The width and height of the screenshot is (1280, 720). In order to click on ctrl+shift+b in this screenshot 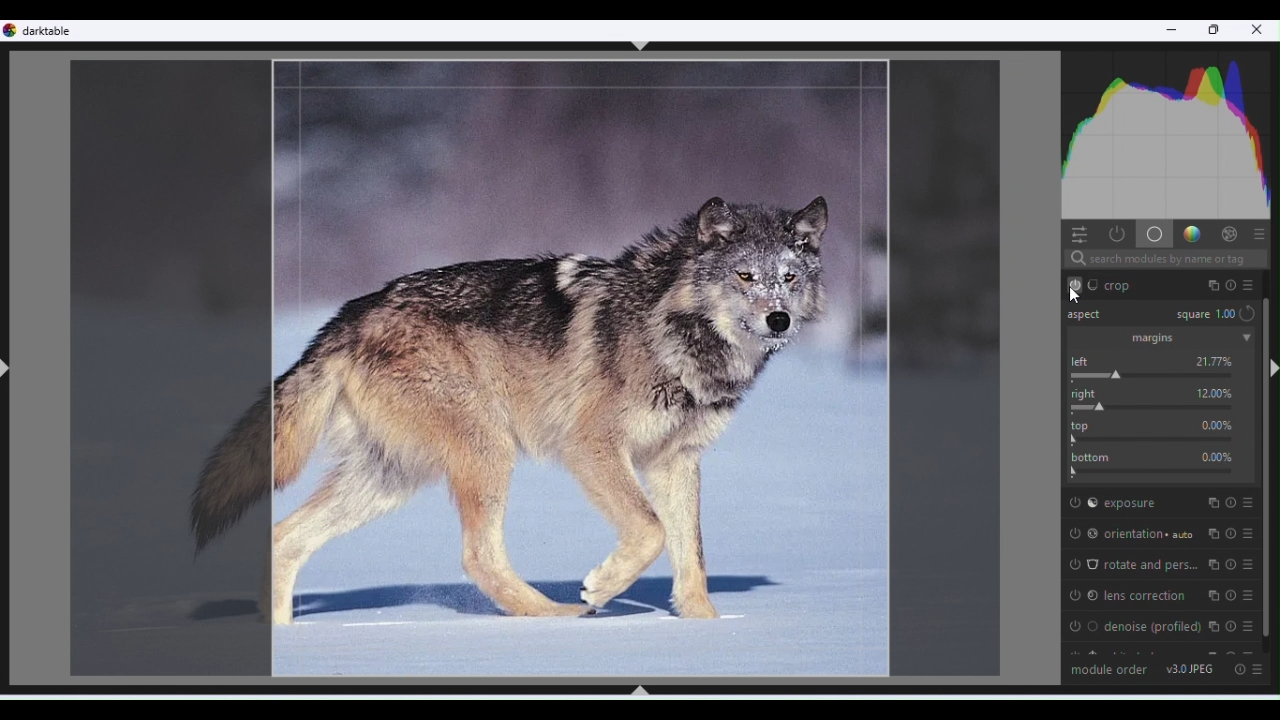, I will do `click(639, 690)`.